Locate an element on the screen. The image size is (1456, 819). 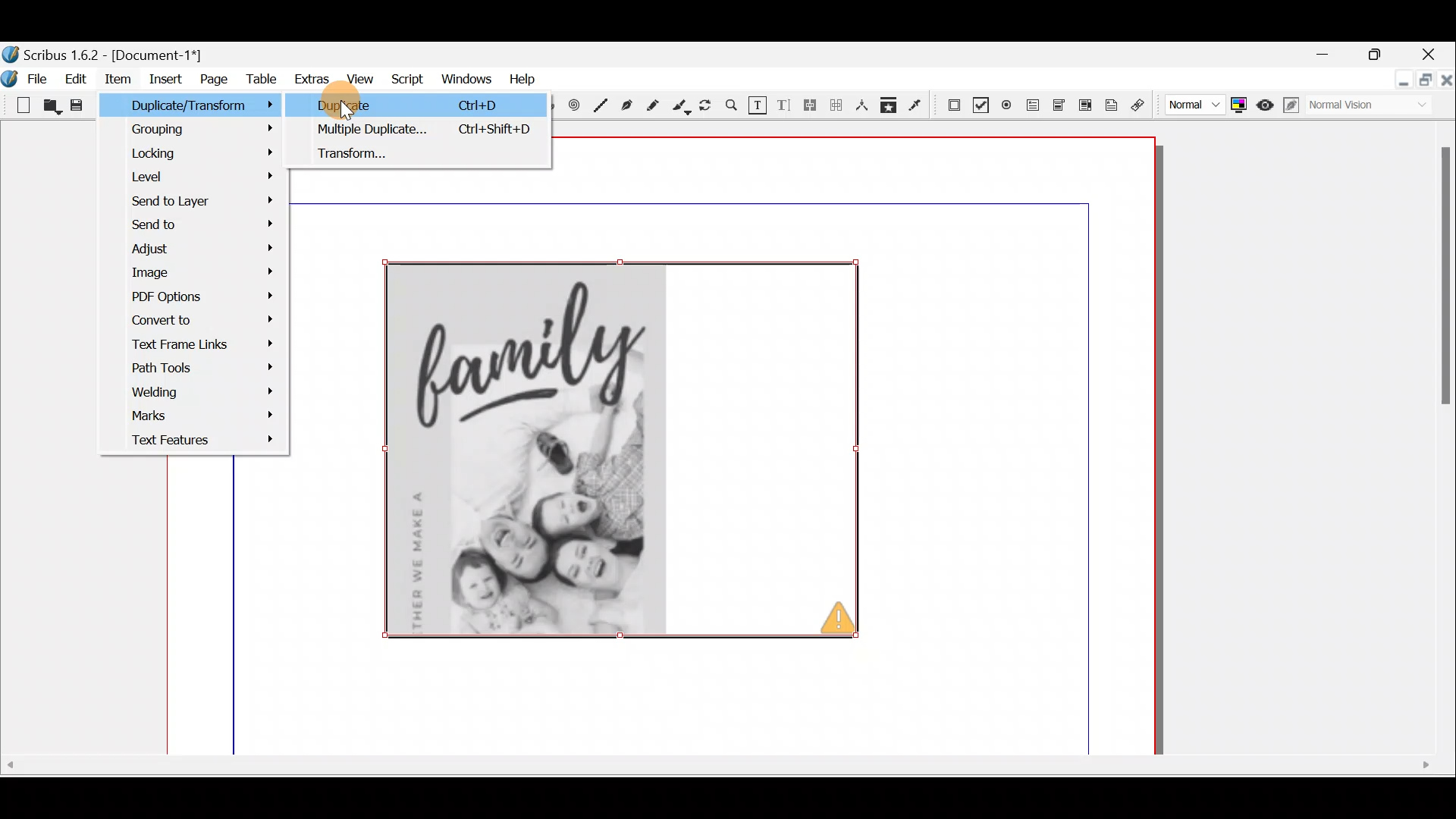
PDF Push button is located at coordinates (952, 104).